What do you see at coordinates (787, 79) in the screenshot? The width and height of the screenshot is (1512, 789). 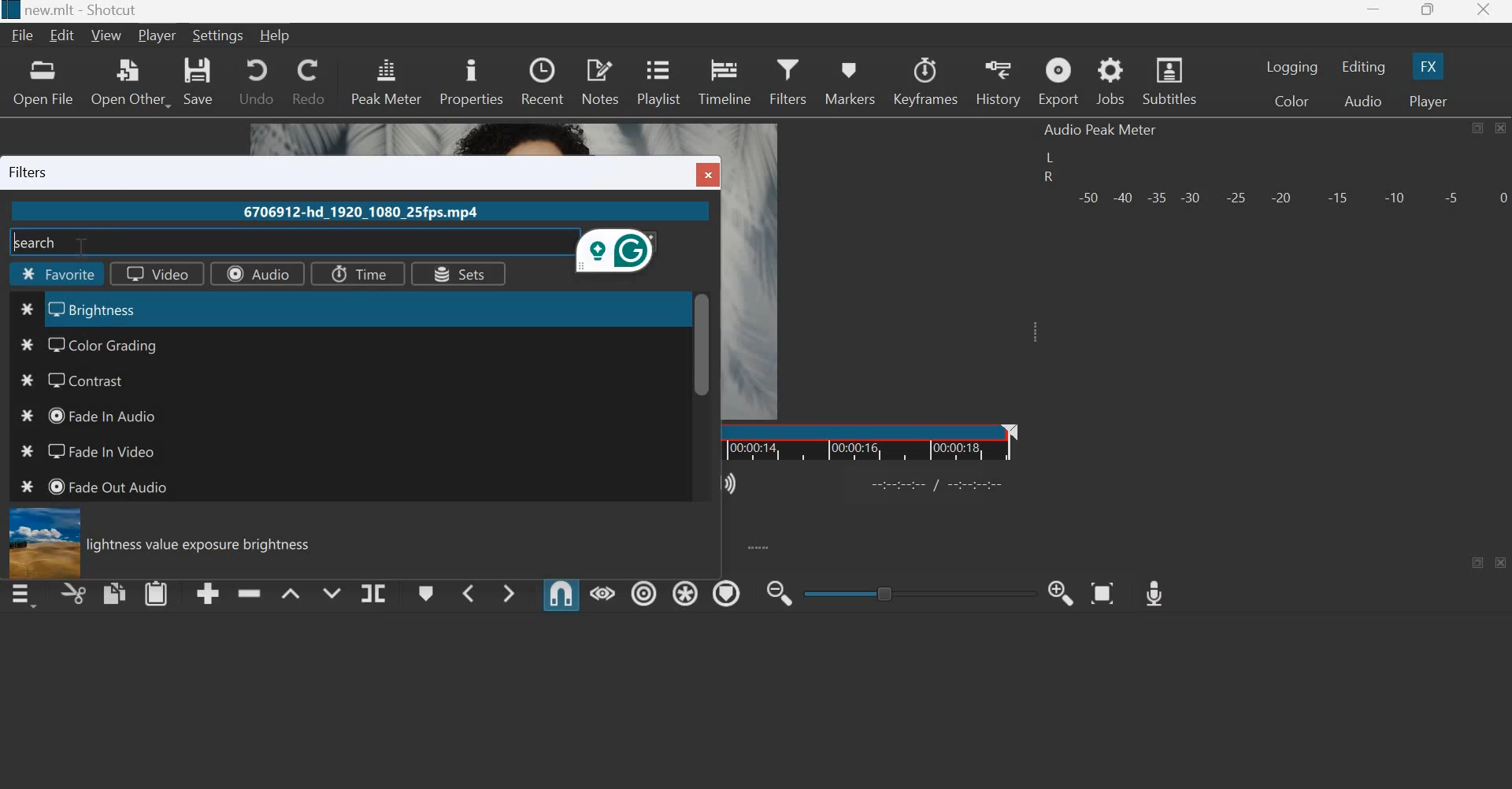 I see `Filters` at bounding box center [787, 79].